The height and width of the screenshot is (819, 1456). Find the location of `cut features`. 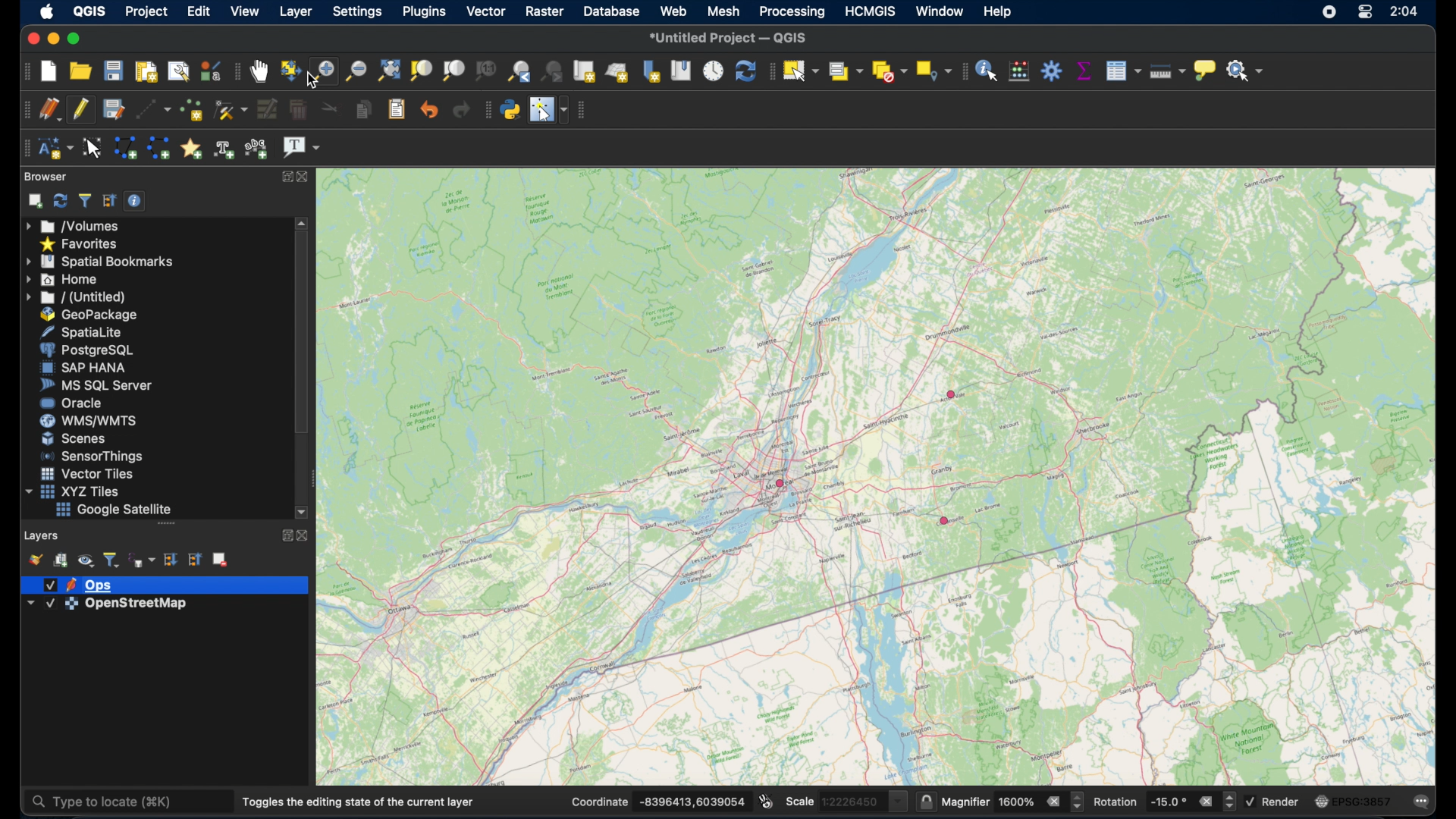

cut features is located at coordinates (329, 108).